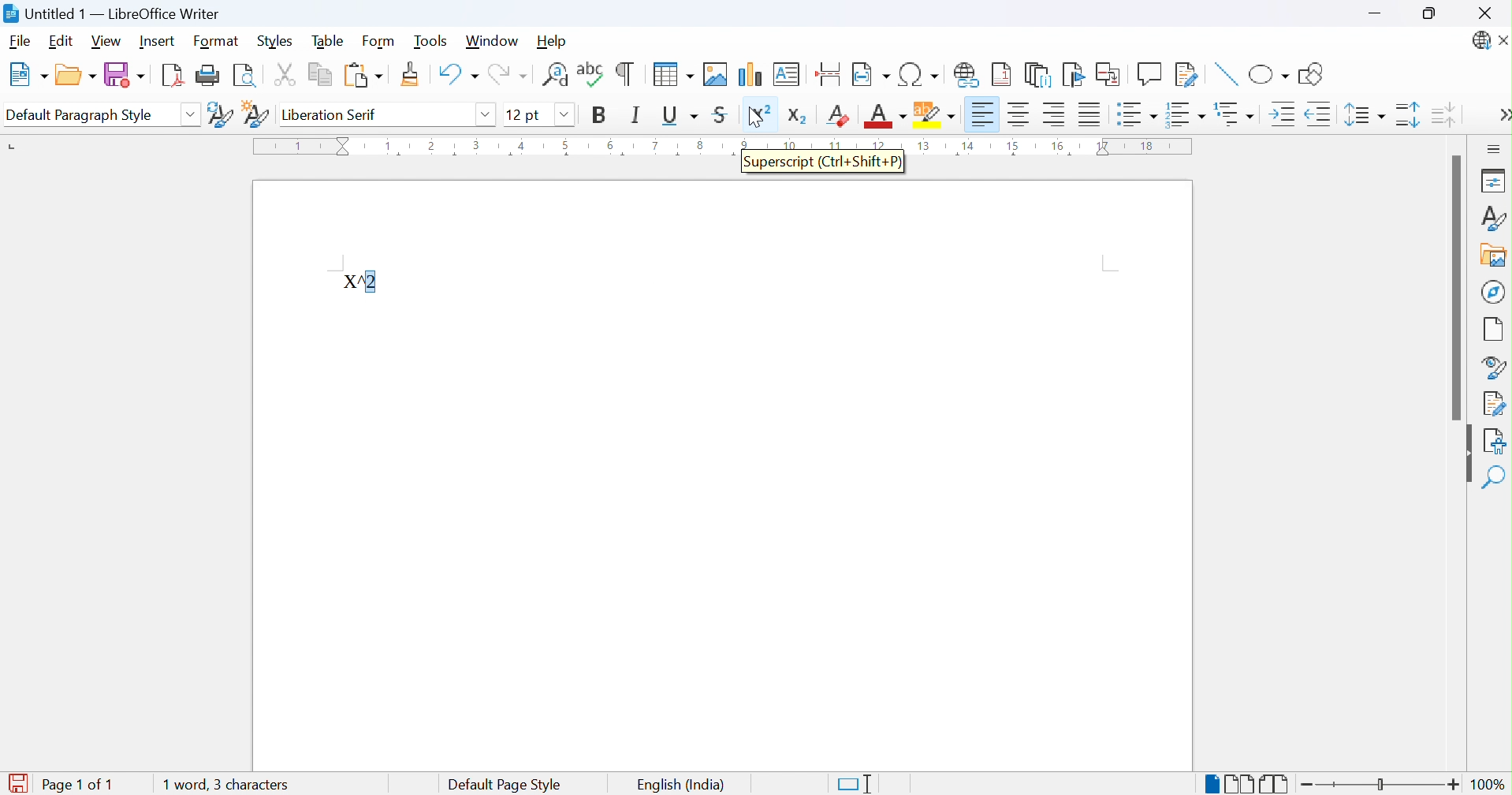 The width and height of the screenshot is (1512, 795). I want to click on Save, so click(126, 75).